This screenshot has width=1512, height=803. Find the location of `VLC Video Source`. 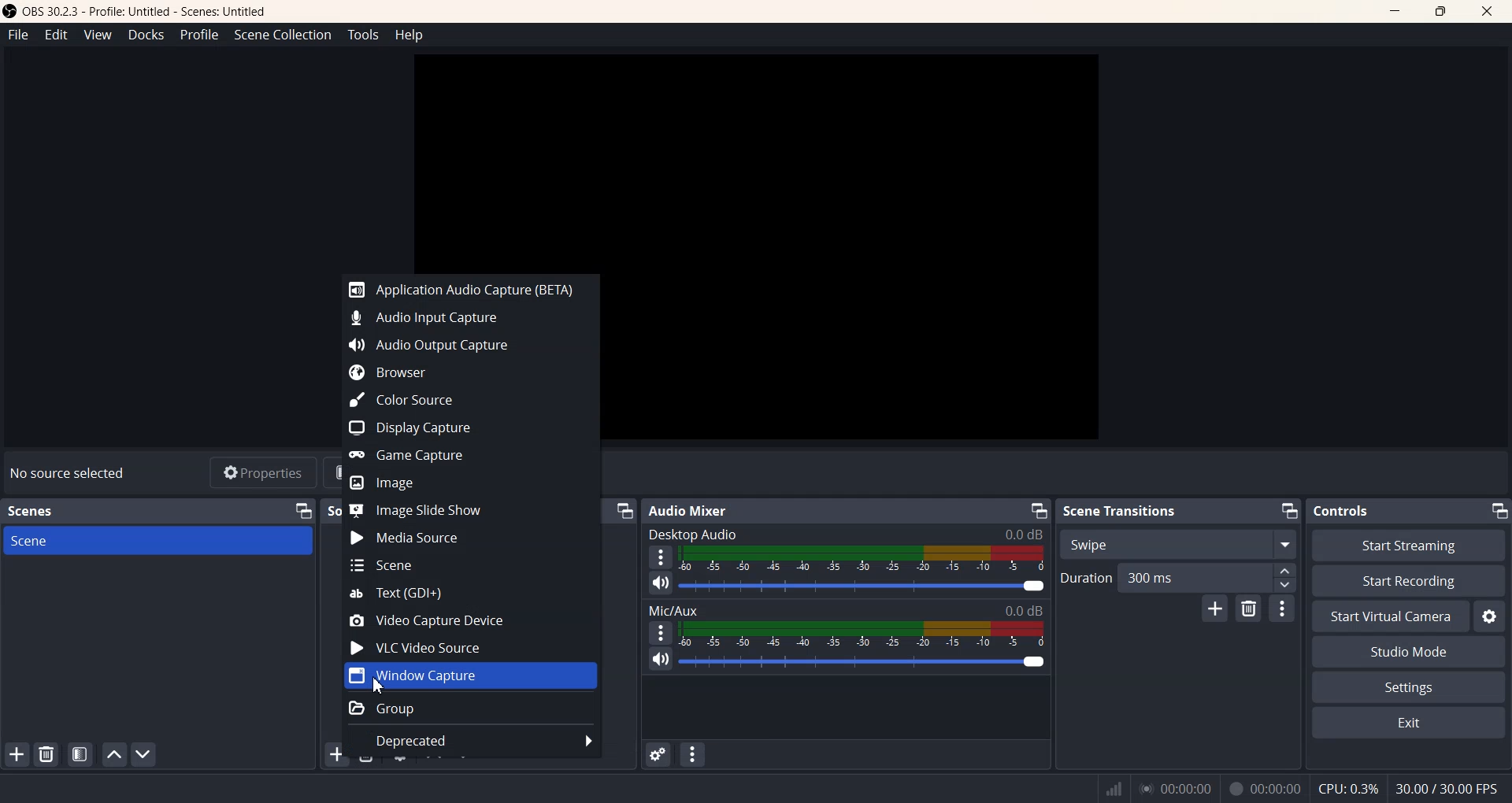

VLC Video Source is located at coordinates (470, 647).